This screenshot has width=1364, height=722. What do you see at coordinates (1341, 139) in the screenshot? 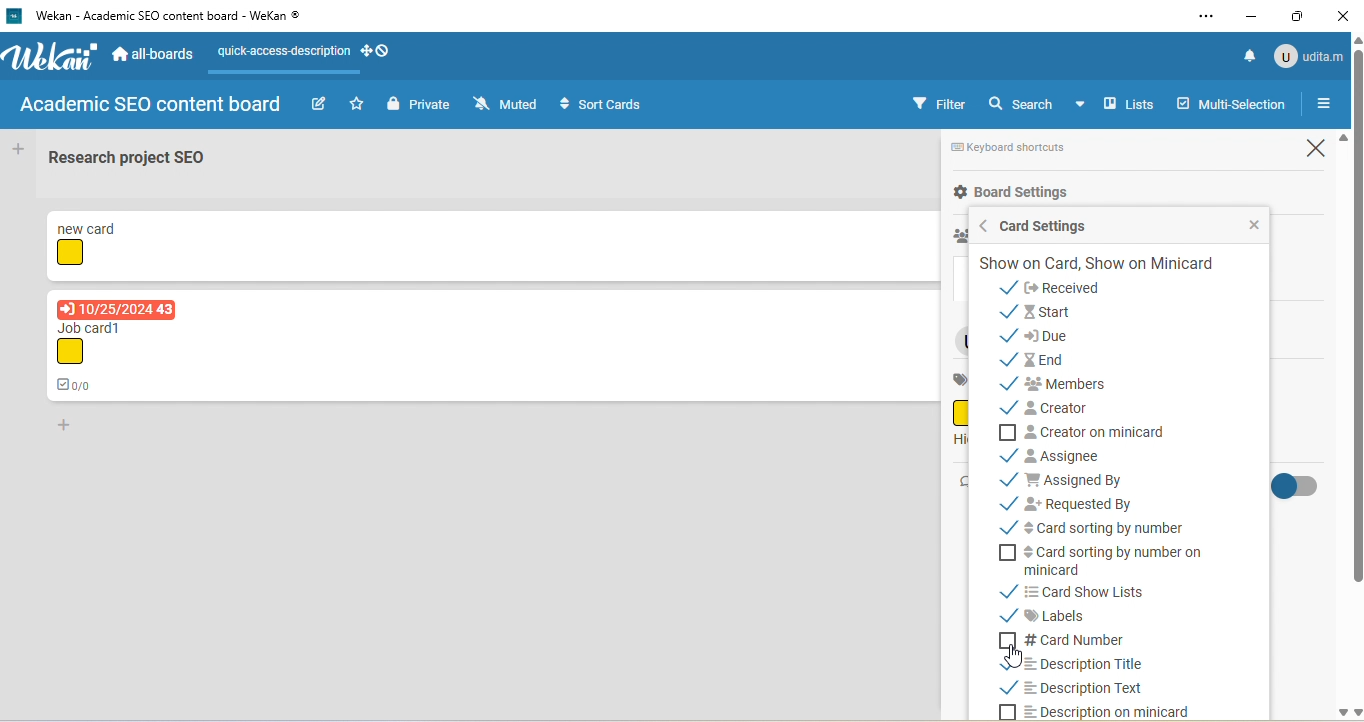
I see `scroll up` at bounding box center [1341, 139].